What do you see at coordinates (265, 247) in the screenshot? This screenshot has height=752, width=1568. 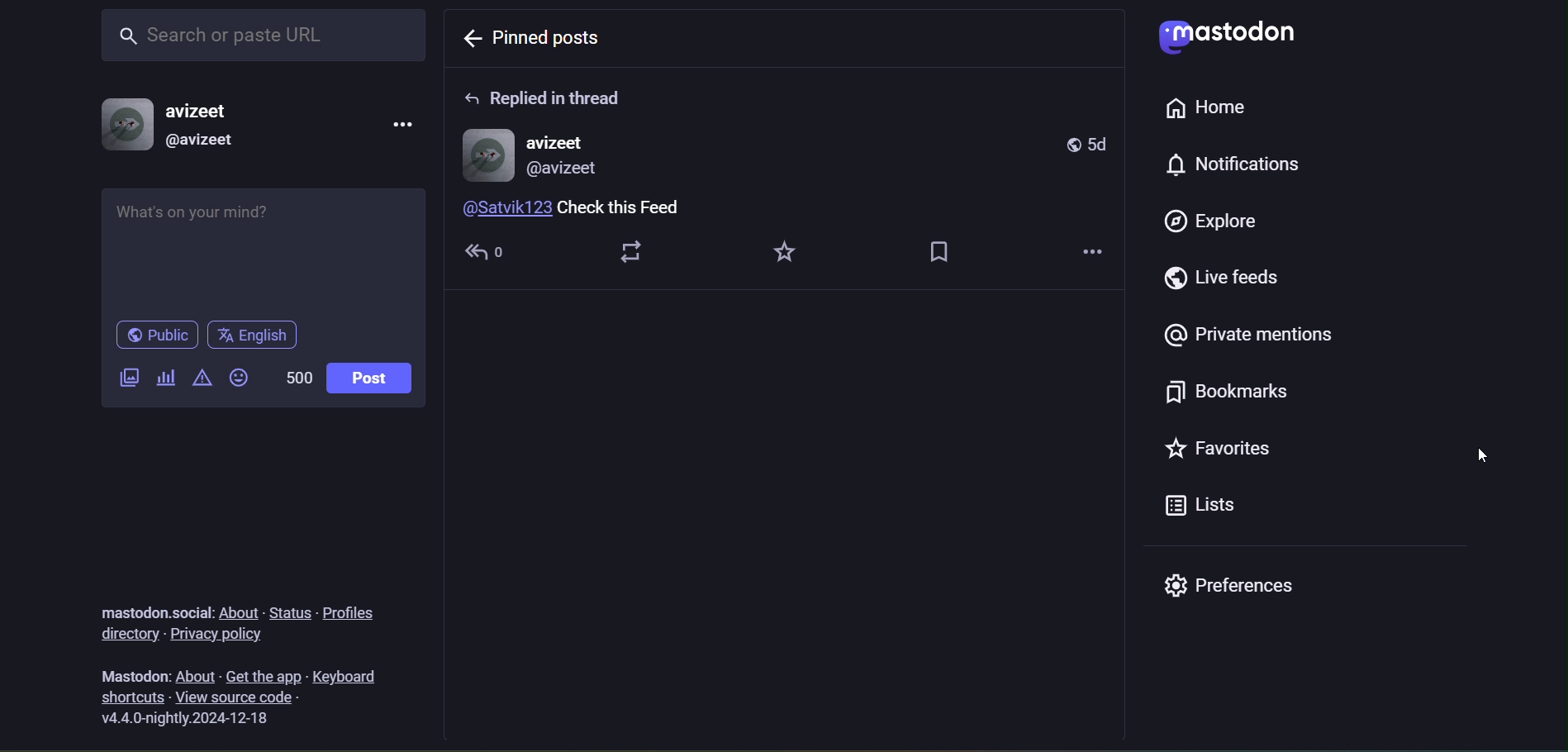 I see `whats on your mind` at bounding box center [265, 247].